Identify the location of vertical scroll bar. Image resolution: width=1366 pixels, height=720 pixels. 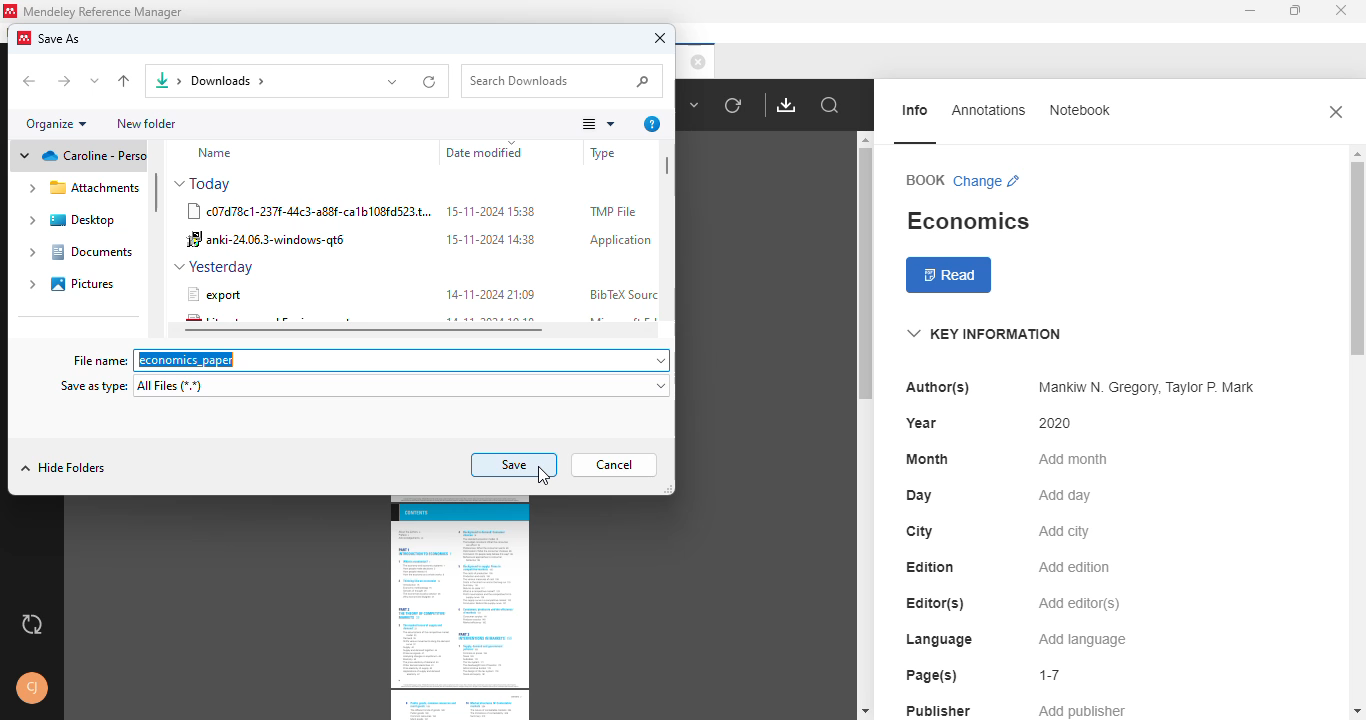
(1357, 238).